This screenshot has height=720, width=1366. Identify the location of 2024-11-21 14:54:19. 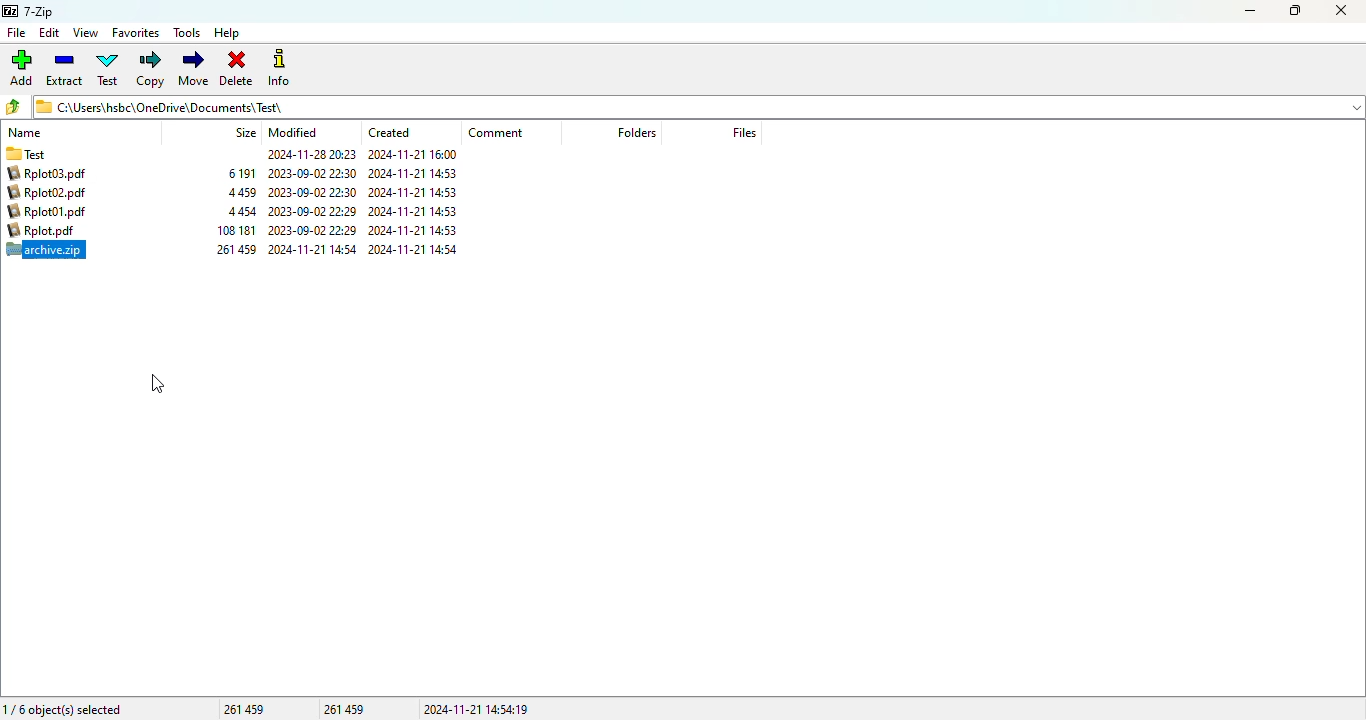
(477, 709).